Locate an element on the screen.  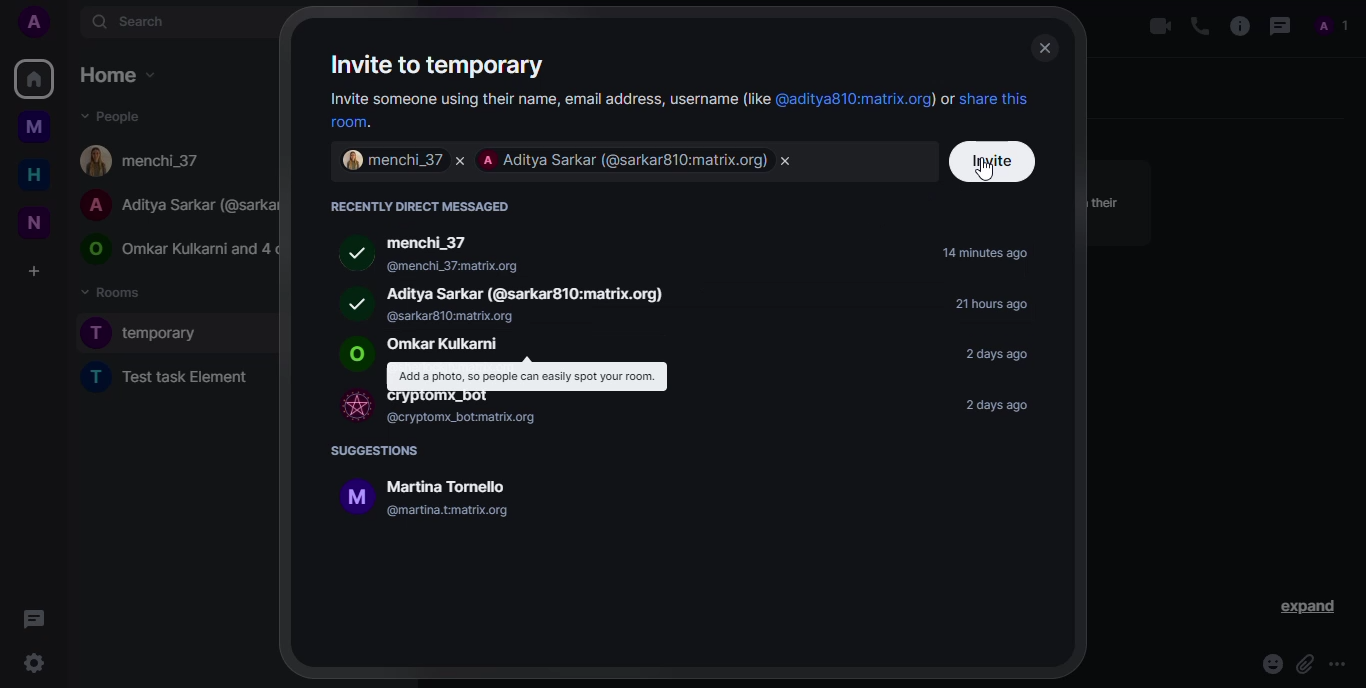
close is located at coordinates (1044, 46).